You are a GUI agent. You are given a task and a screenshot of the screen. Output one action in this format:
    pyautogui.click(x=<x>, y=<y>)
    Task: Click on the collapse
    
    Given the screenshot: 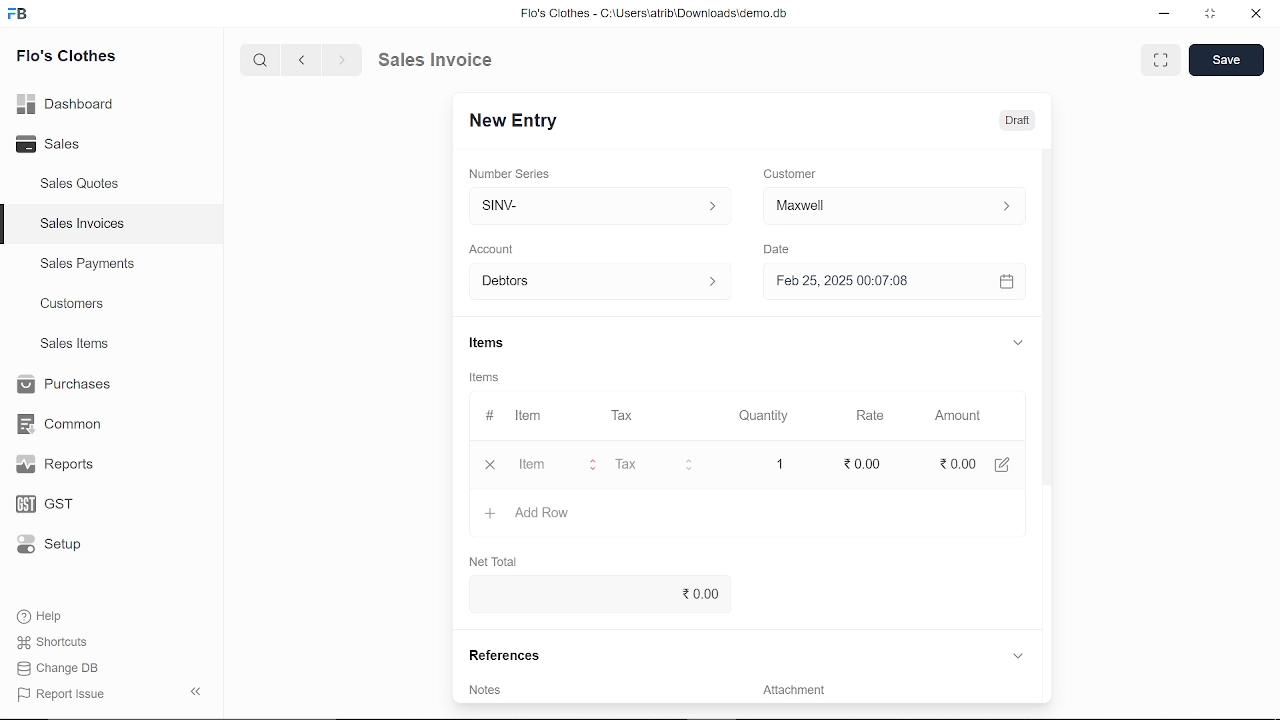 What is the action you would take?
    pyautogui.click(x=198, y=693)
    